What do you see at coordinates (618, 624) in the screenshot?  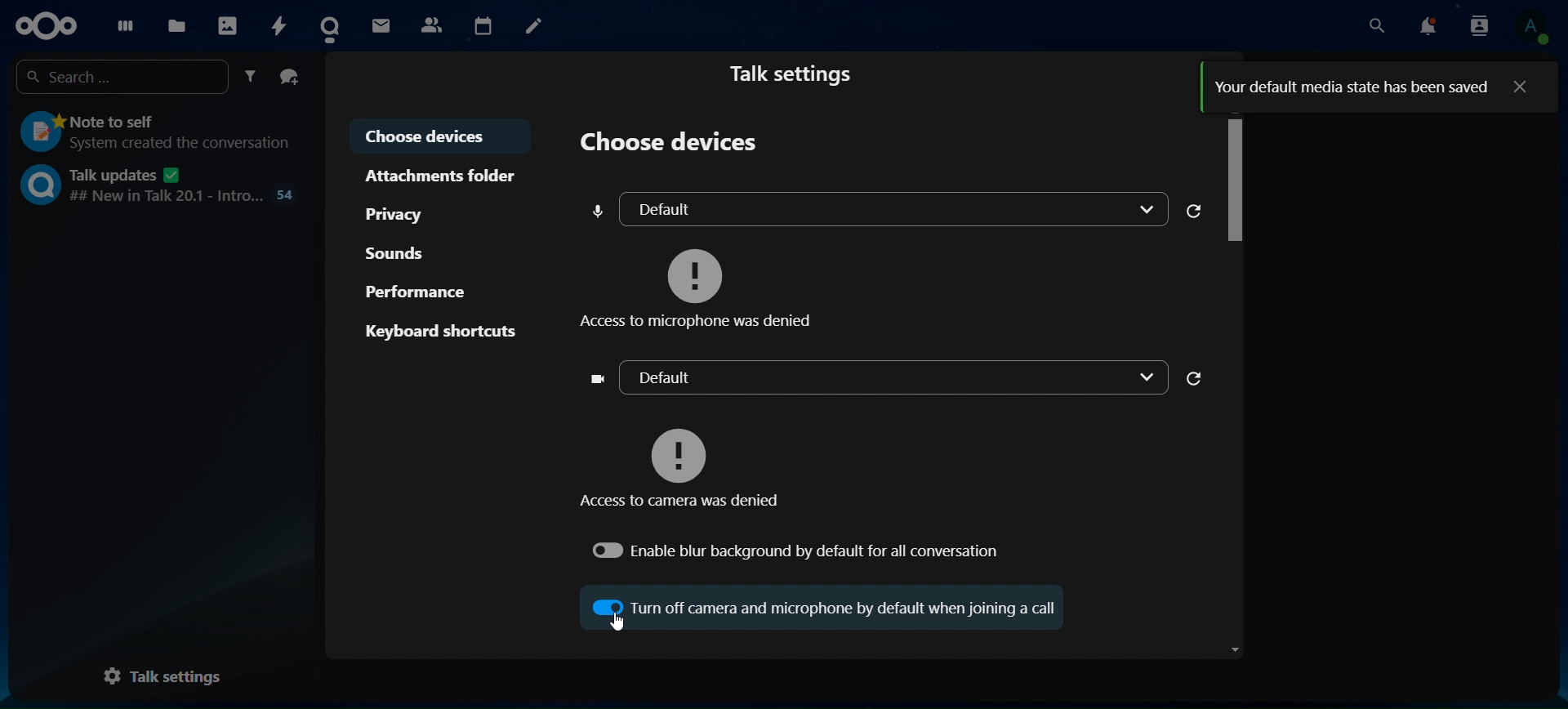 I see `Cursor` at bounding box center [618, 624].